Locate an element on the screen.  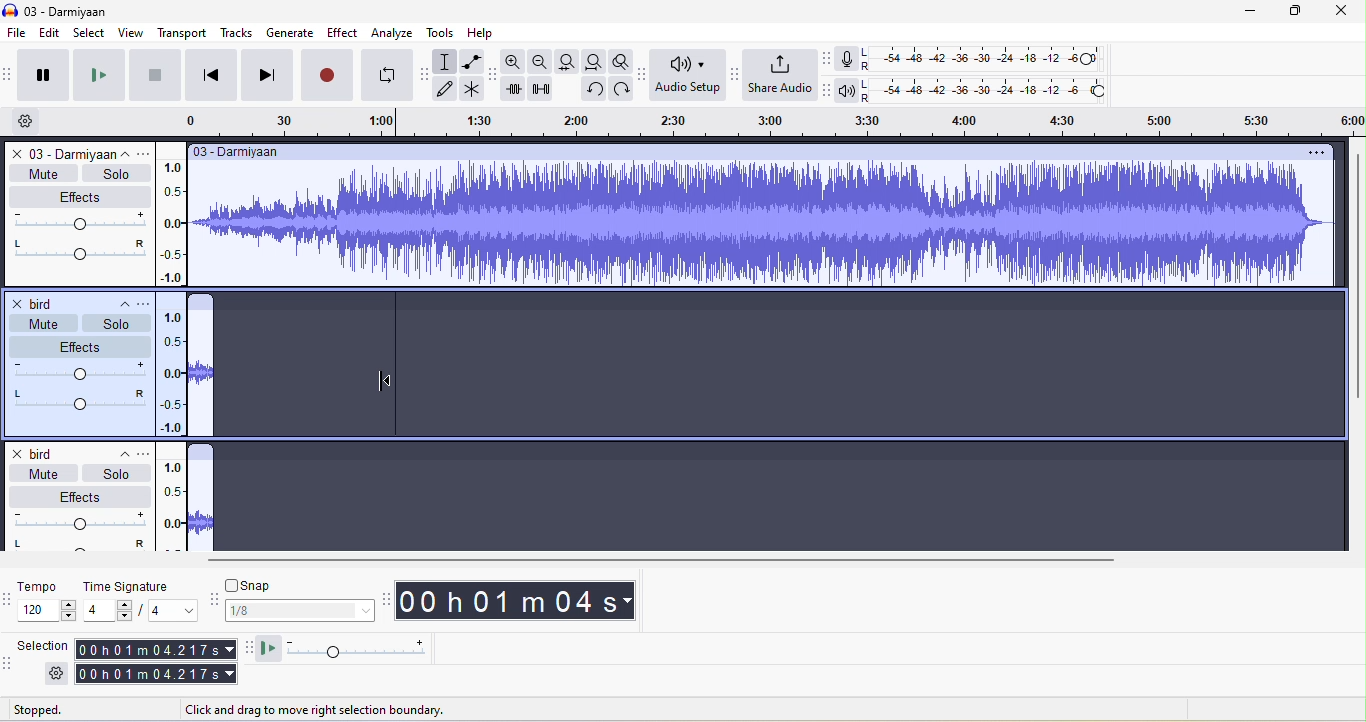
pan:center is located at coordinates (79, 398).